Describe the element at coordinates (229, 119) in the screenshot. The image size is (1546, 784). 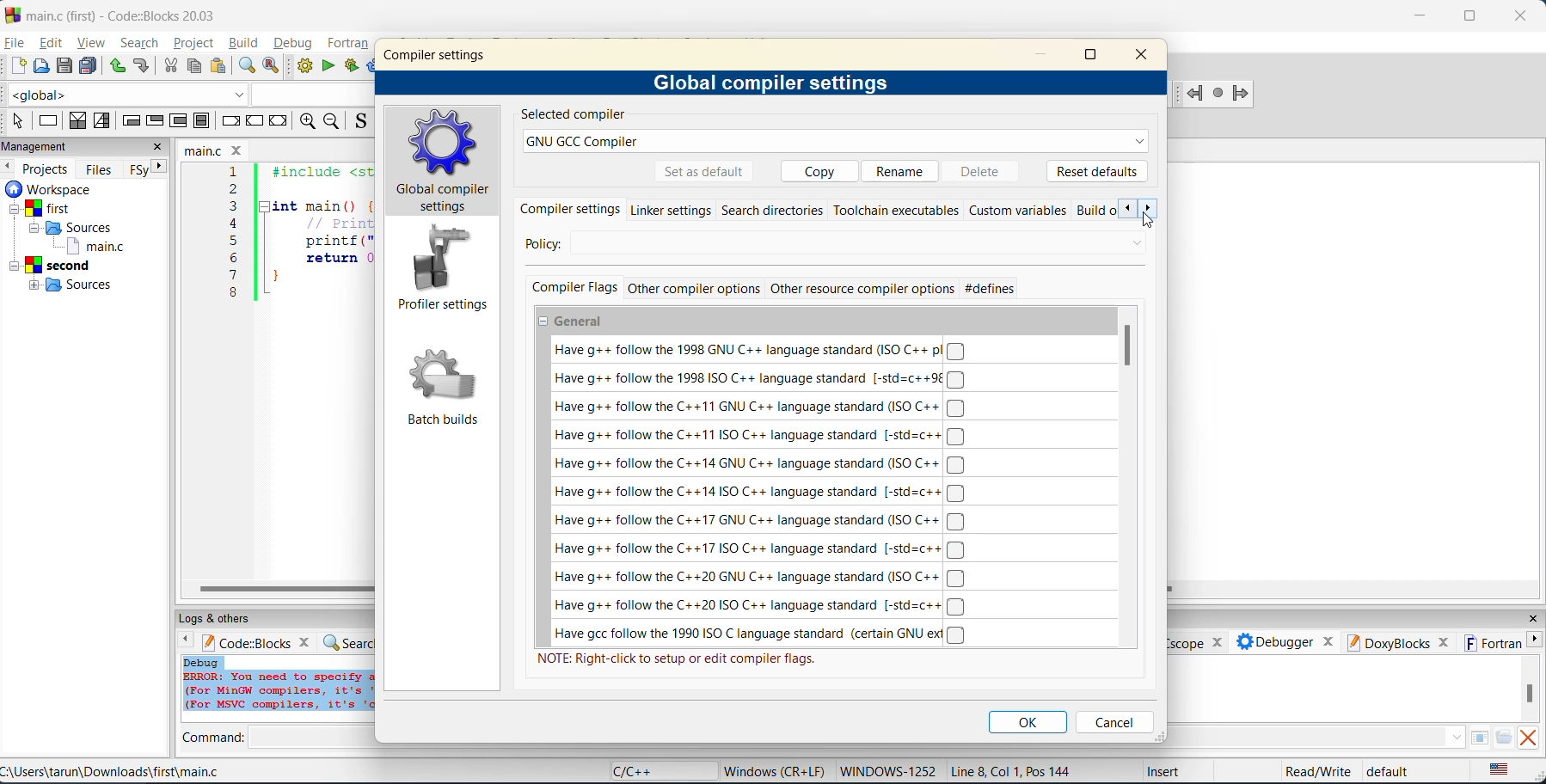
I see `break` at that location.